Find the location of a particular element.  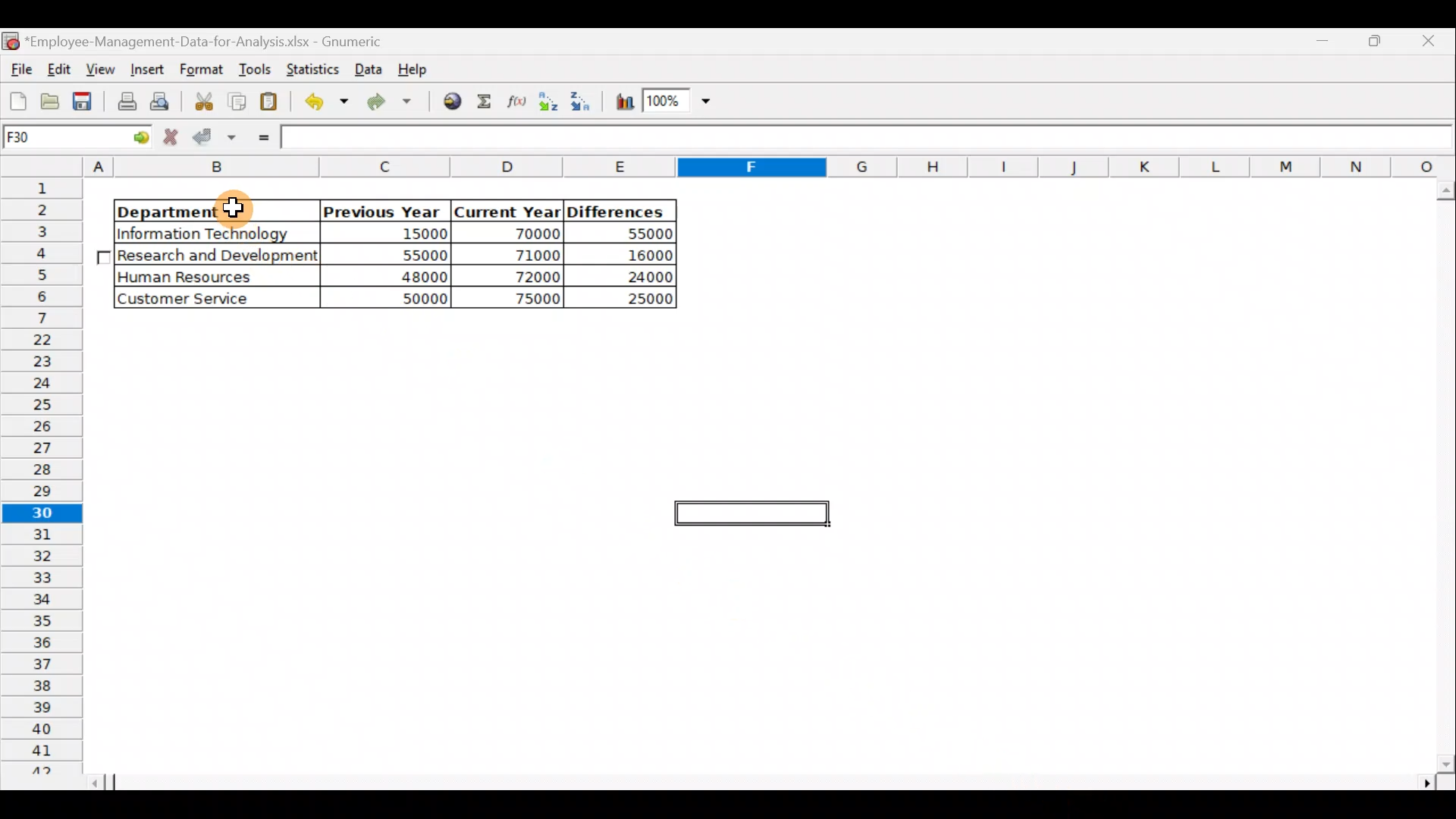

Research and Development is located at coordinates (218, 257).